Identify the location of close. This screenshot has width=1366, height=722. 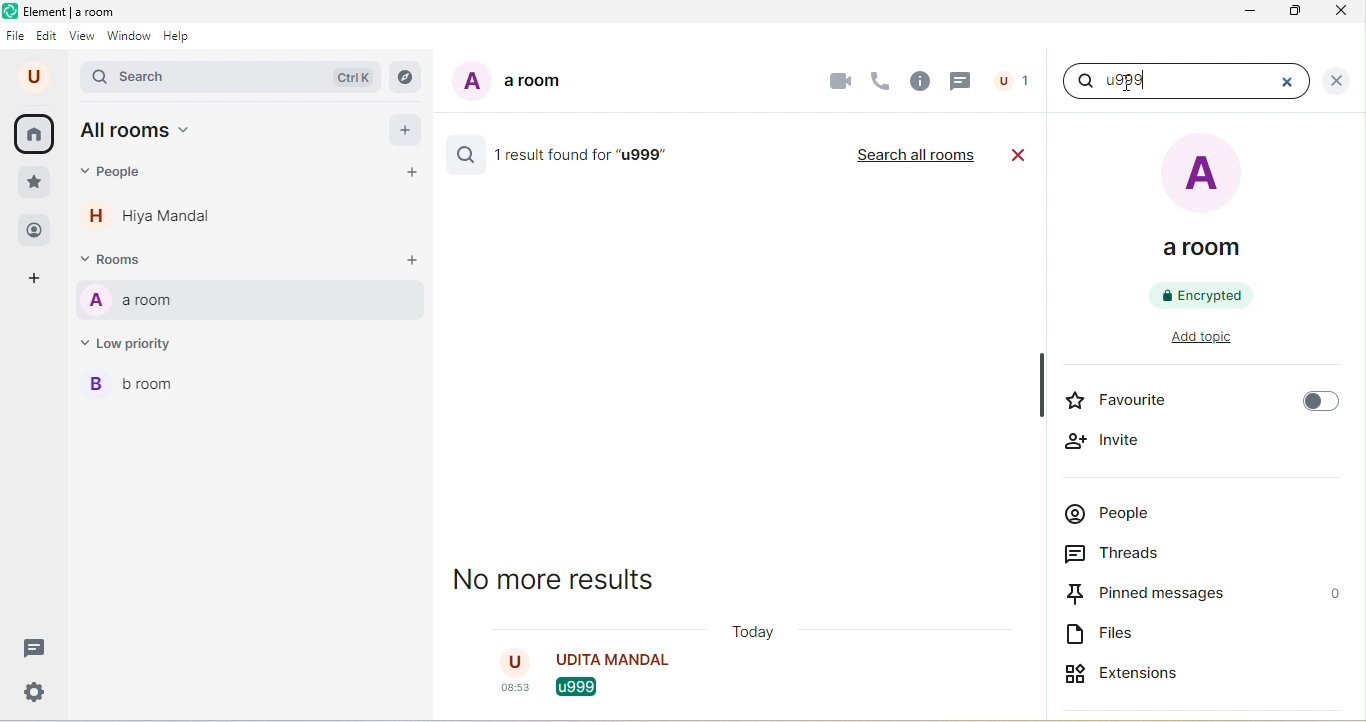
(1337, 15).